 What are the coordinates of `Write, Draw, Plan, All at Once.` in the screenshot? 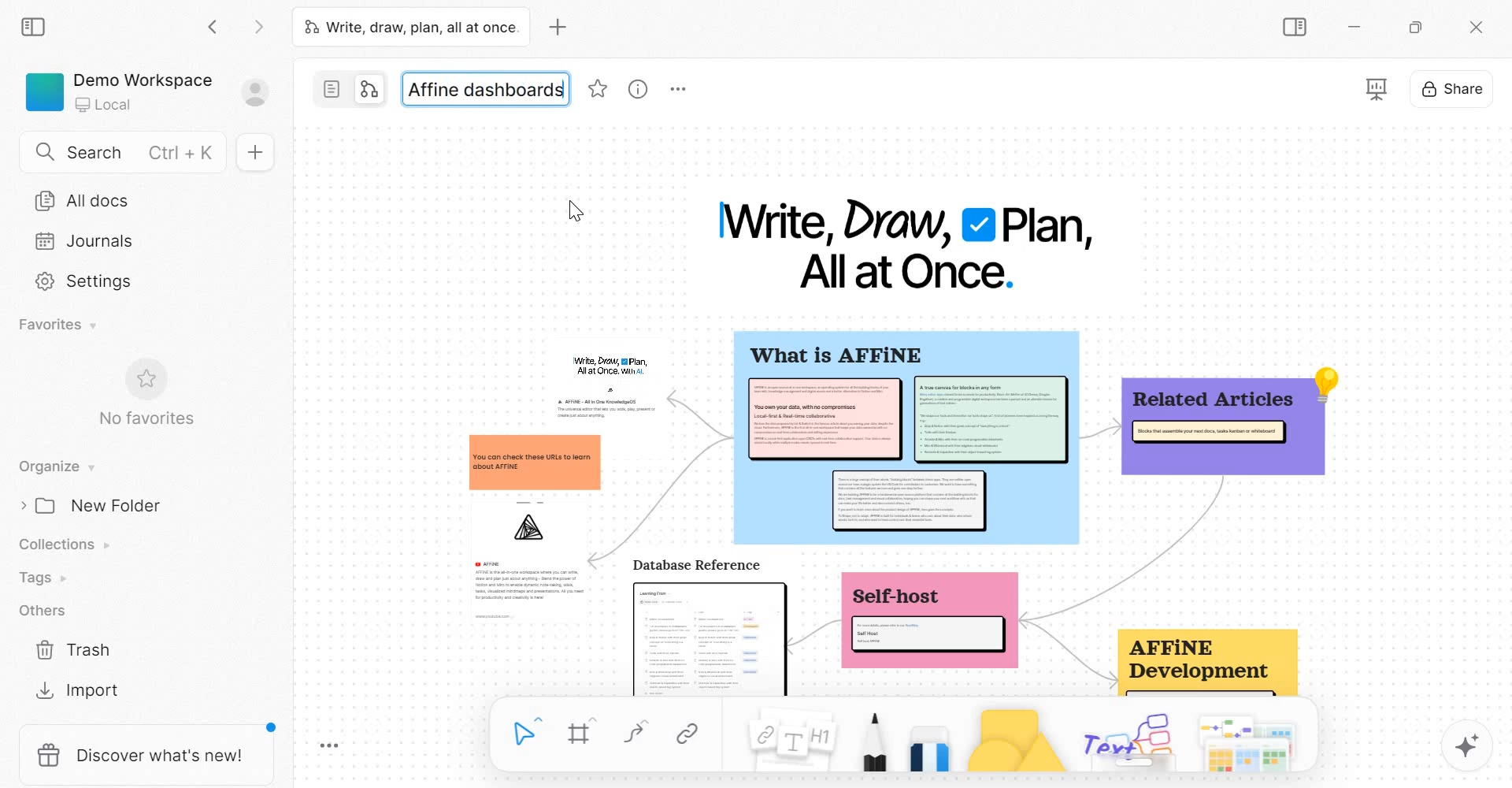 It's located at (909, 244).